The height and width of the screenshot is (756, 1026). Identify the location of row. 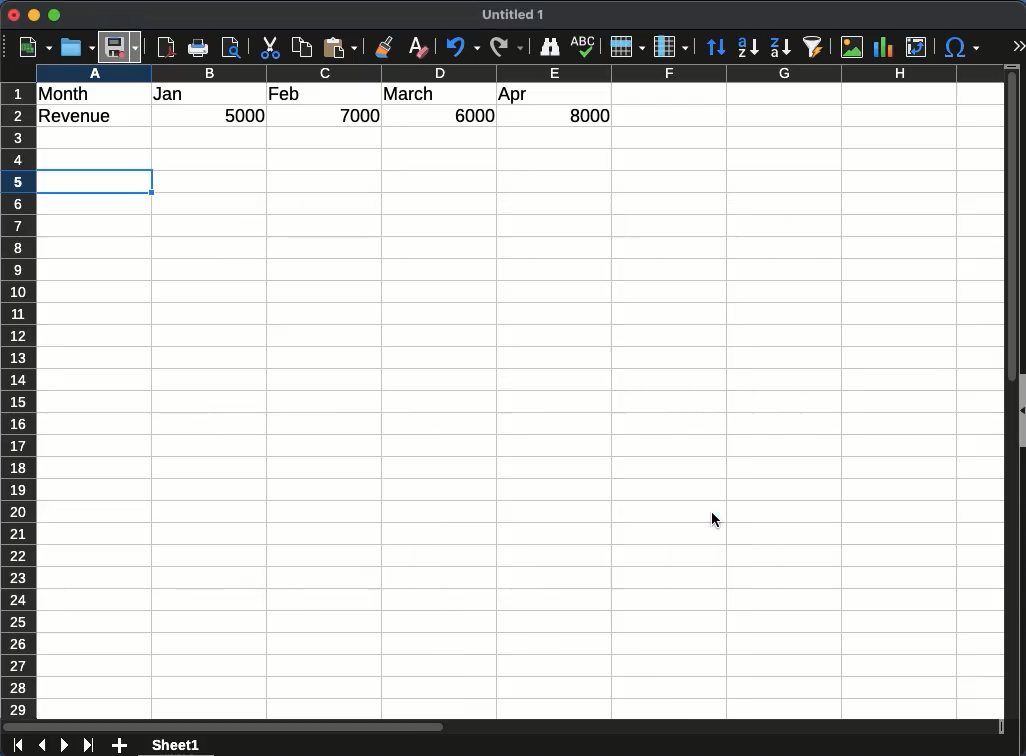
(627, 47).